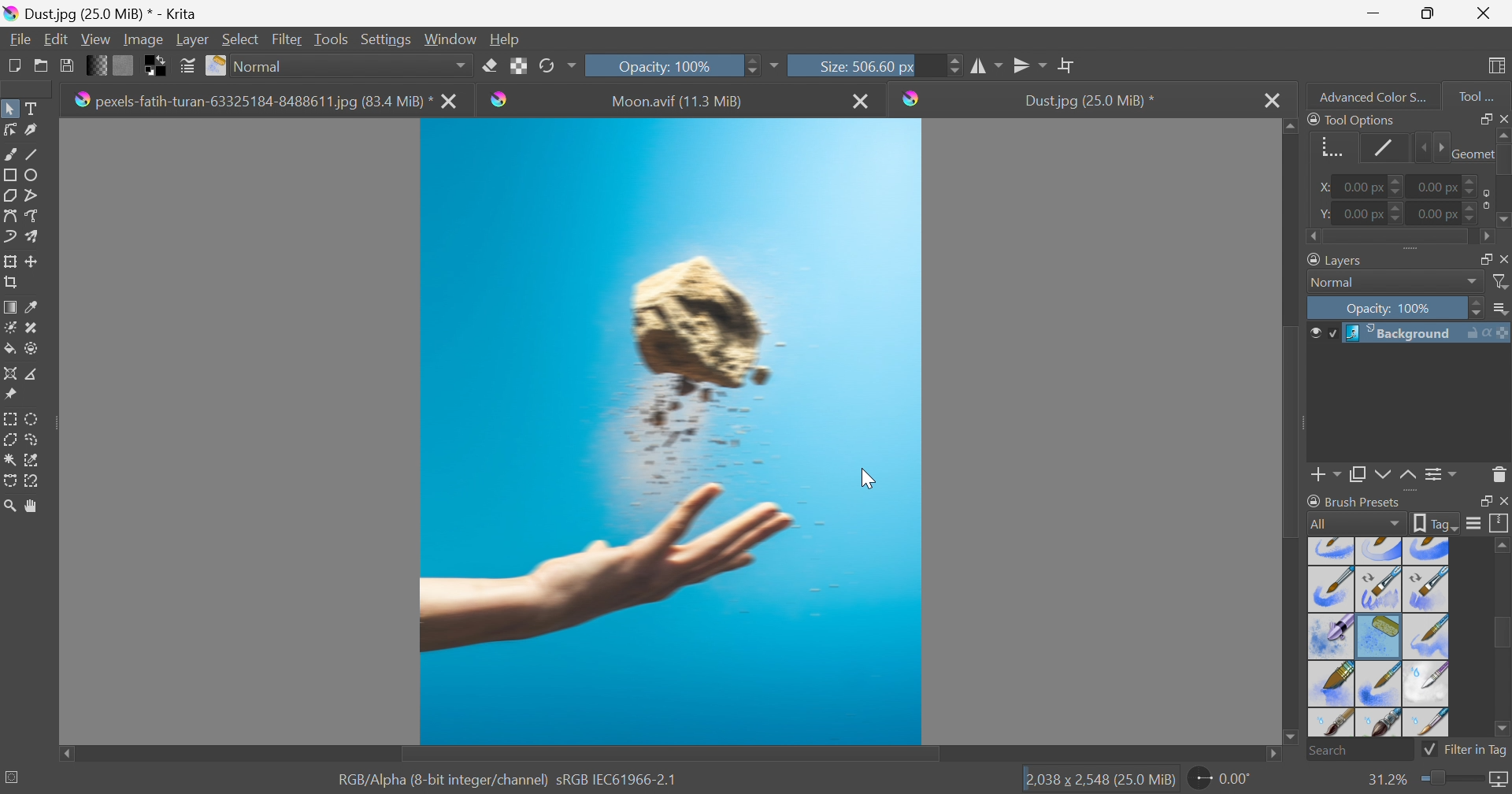 The image size is (1512, 794). What do you see at coordinates (662, 65) in the screenshot?
I see `Opacity: 100%` at bounding box center [662, 65].